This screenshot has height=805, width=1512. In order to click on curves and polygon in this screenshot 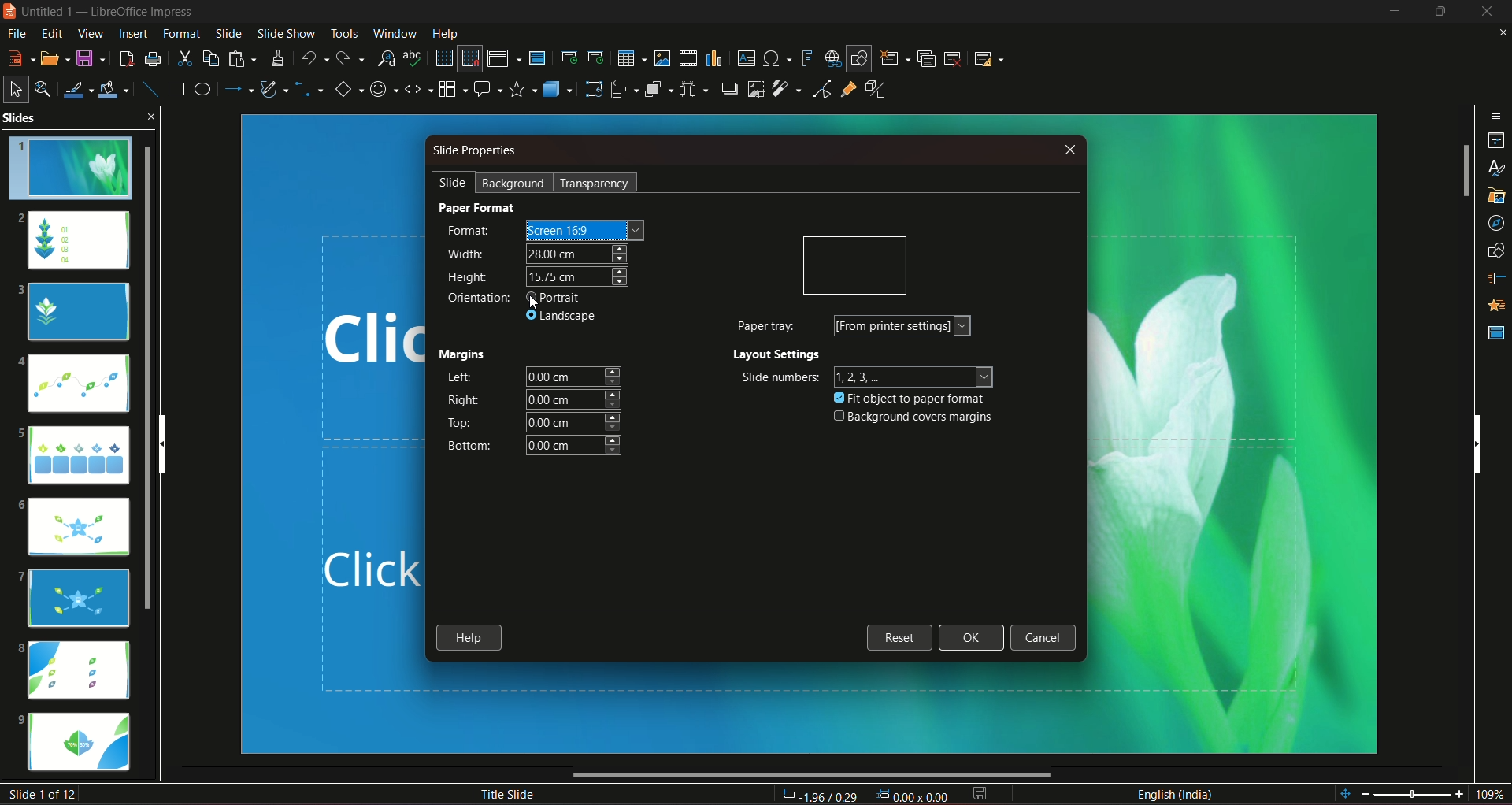, I will do `click(276, 91)`.